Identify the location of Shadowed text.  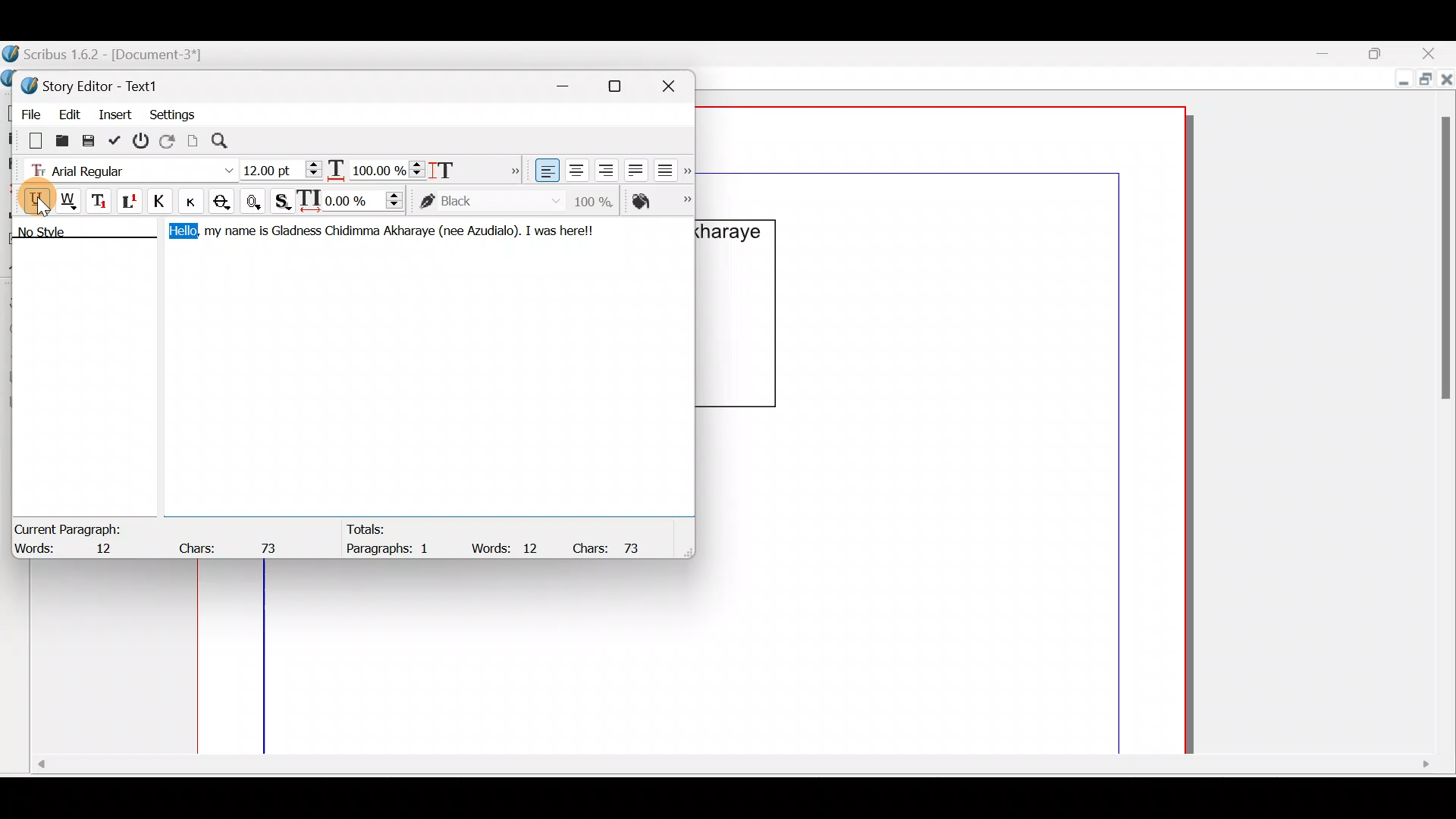
(284, 199).